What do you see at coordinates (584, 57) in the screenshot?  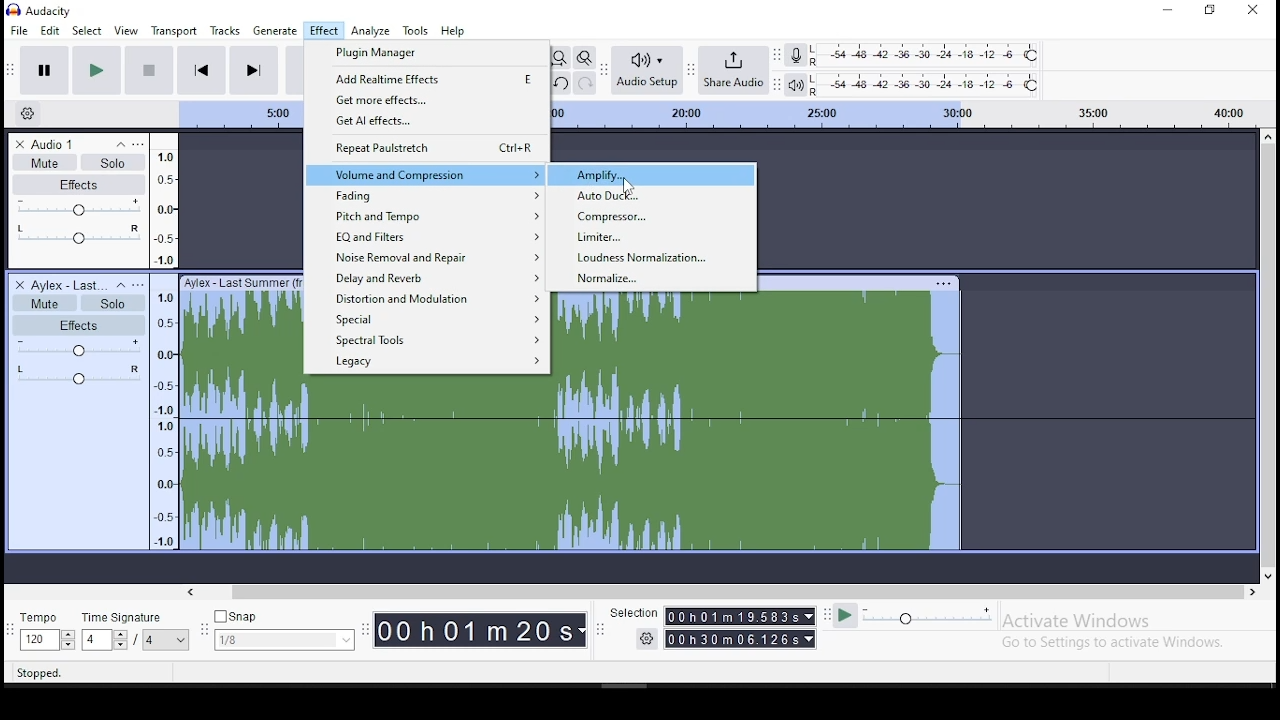 I see `zoom toggle` at bounding box center [584, 57].